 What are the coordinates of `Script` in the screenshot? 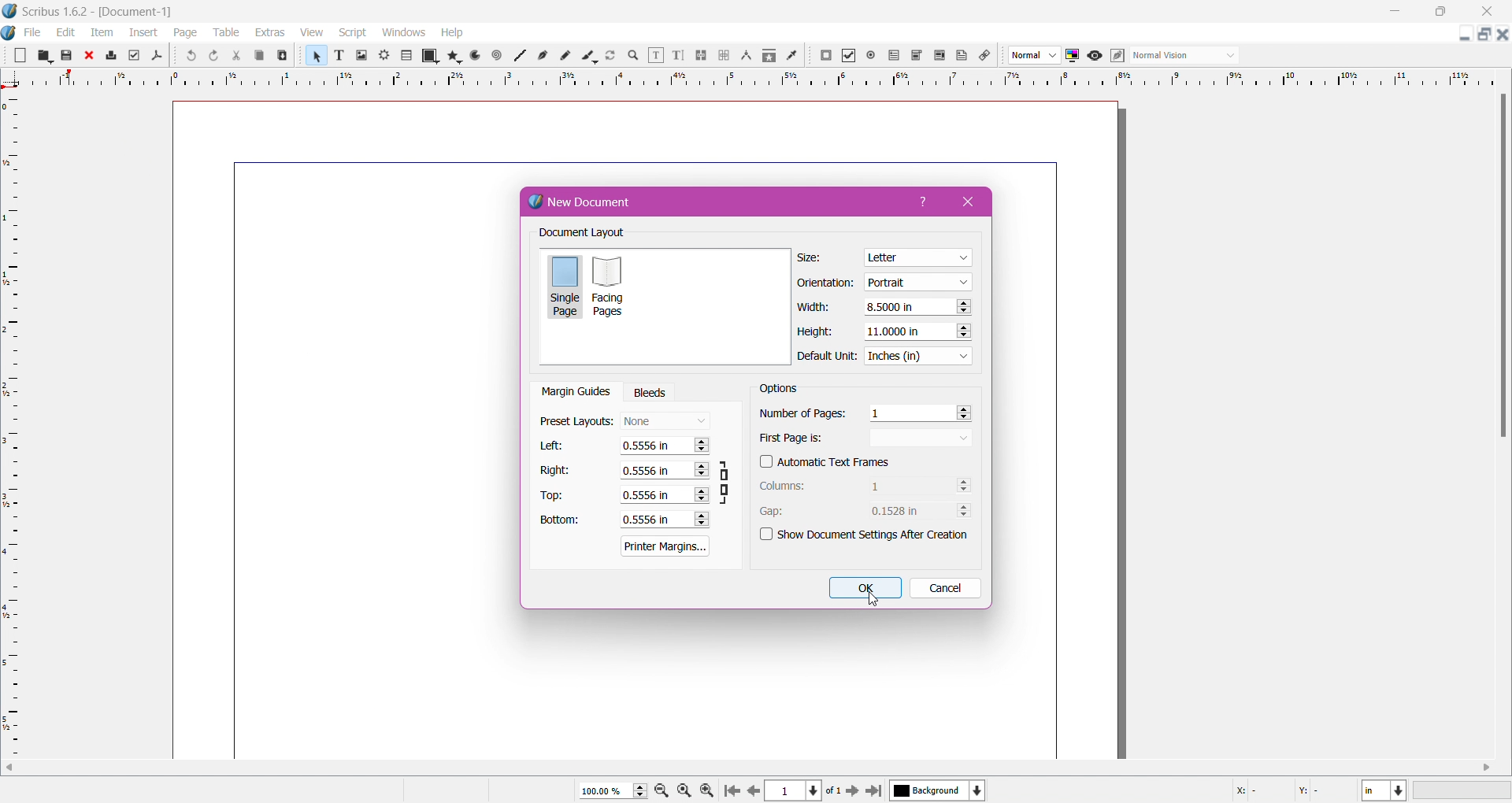 It's located at (350, 33).